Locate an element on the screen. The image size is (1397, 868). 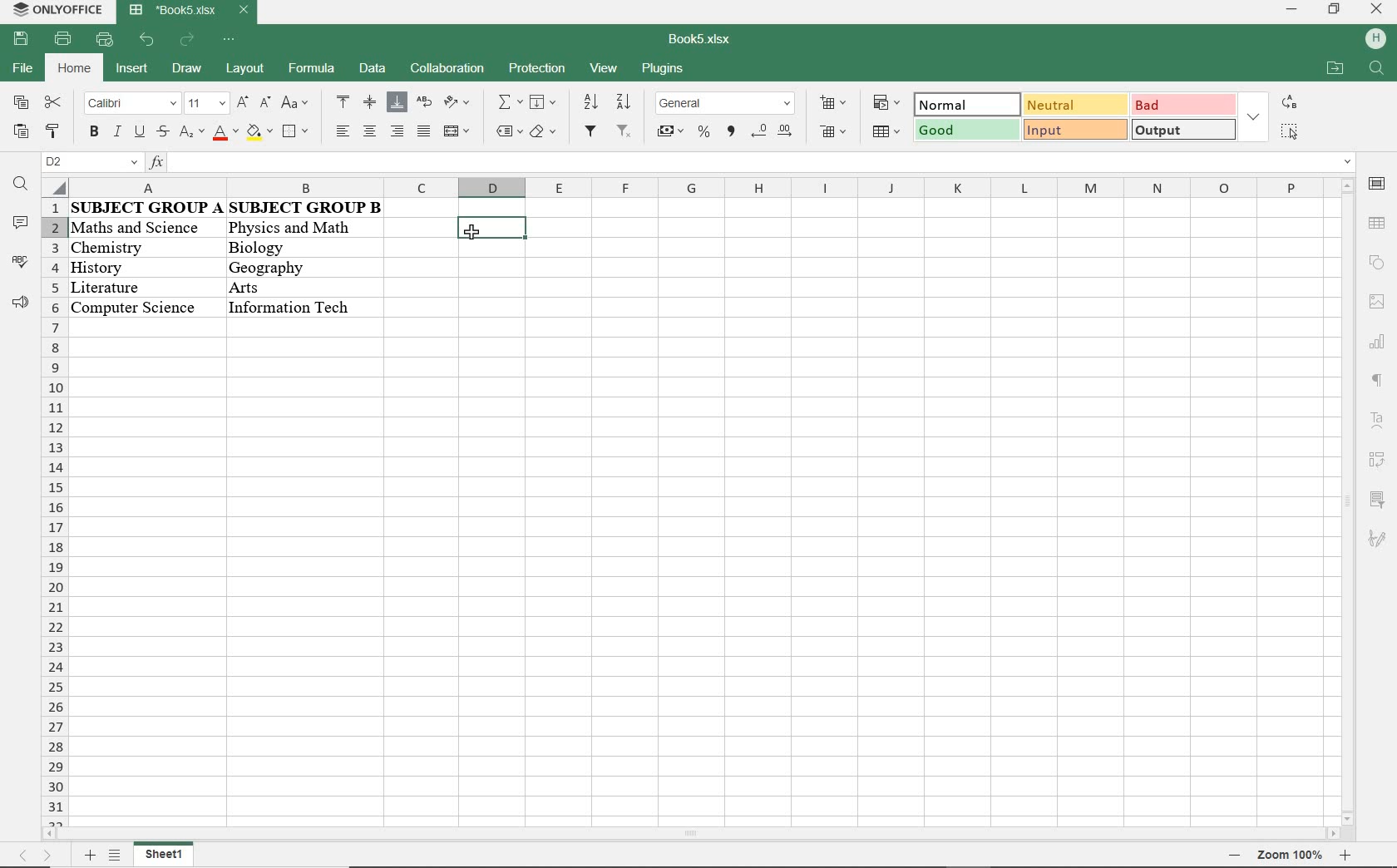
paragraph settings is located at coordinates (1377, 380).